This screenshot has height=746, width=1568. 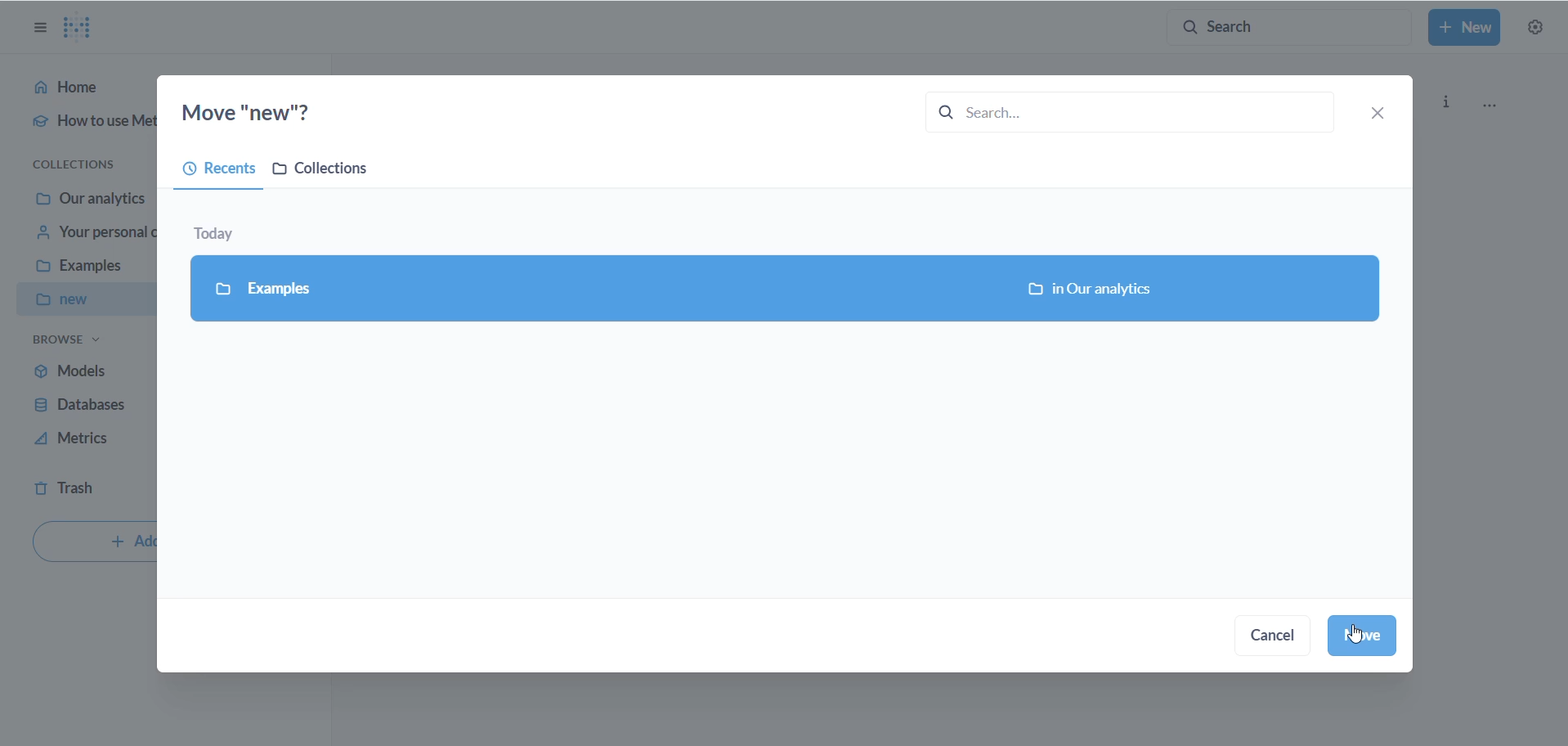 What do you see at coordinates (213, 172) in the screenshot?
I see `RECENTS` at bounding box center [213, 172].